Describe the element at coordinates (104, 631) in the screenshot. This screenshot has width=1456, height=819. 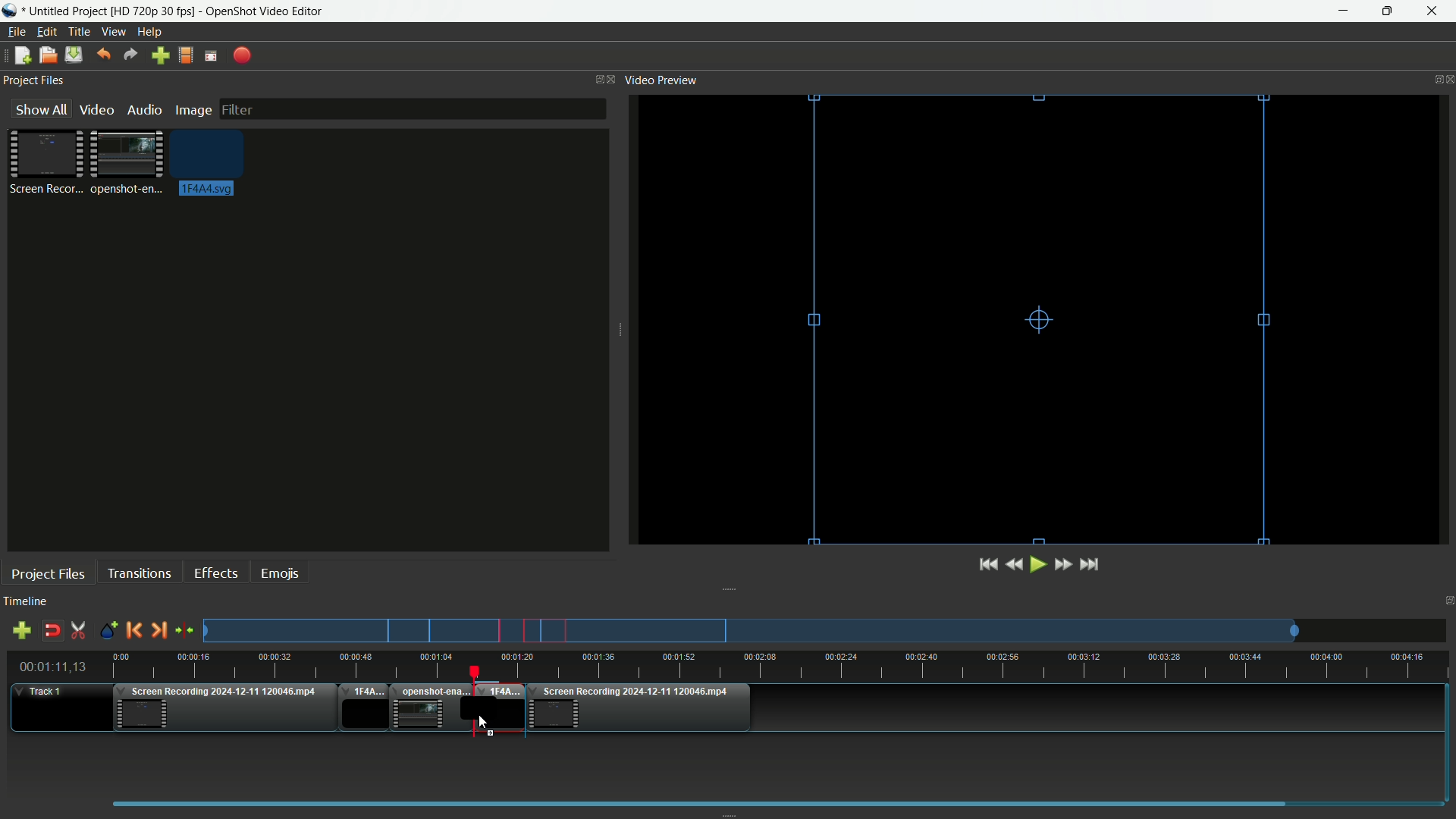
I see `Create markers` at that location.